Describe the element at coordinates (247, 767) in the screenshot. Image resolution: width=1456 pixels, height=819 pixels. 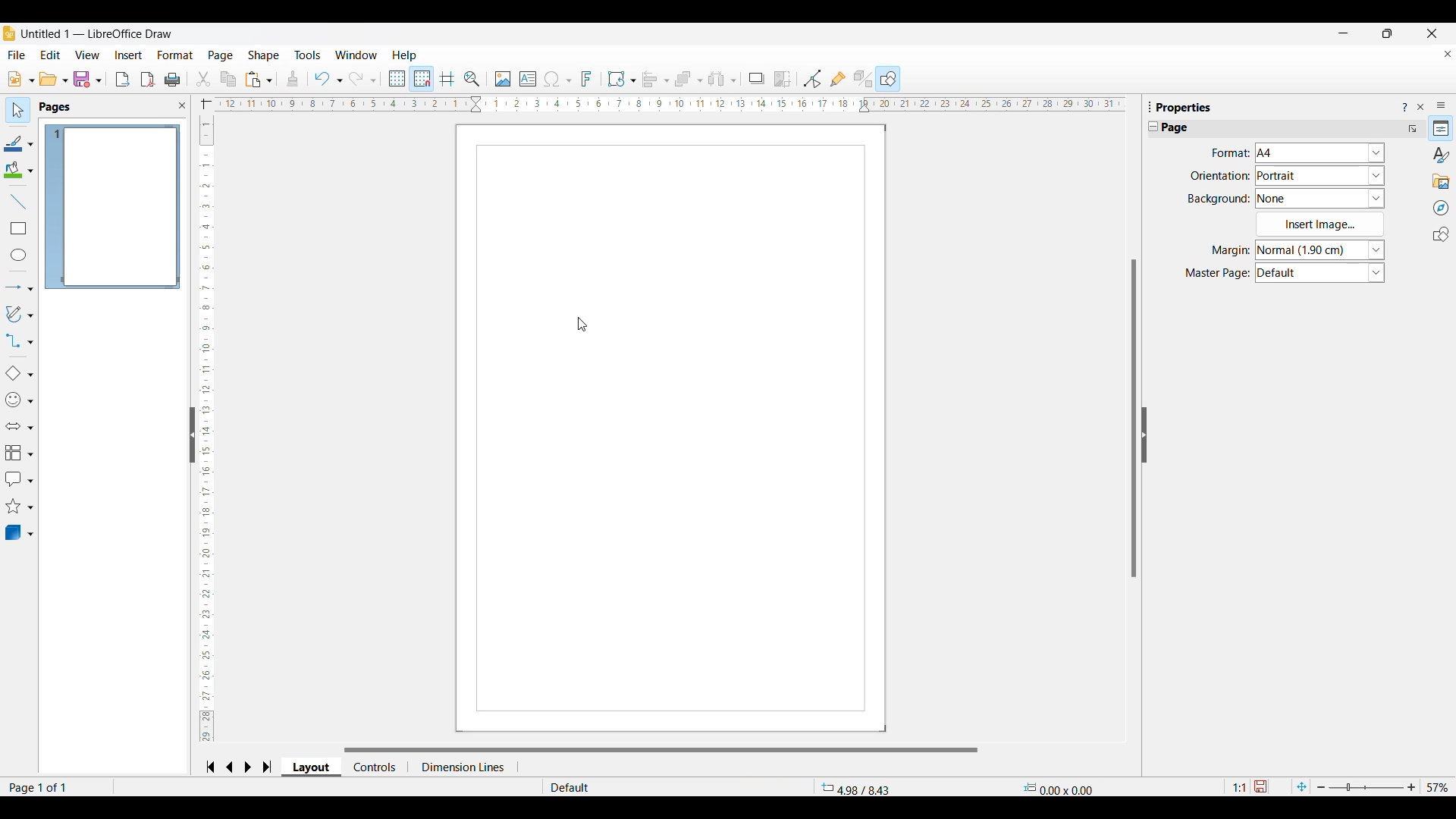
I see `Go to next slide` at that location.